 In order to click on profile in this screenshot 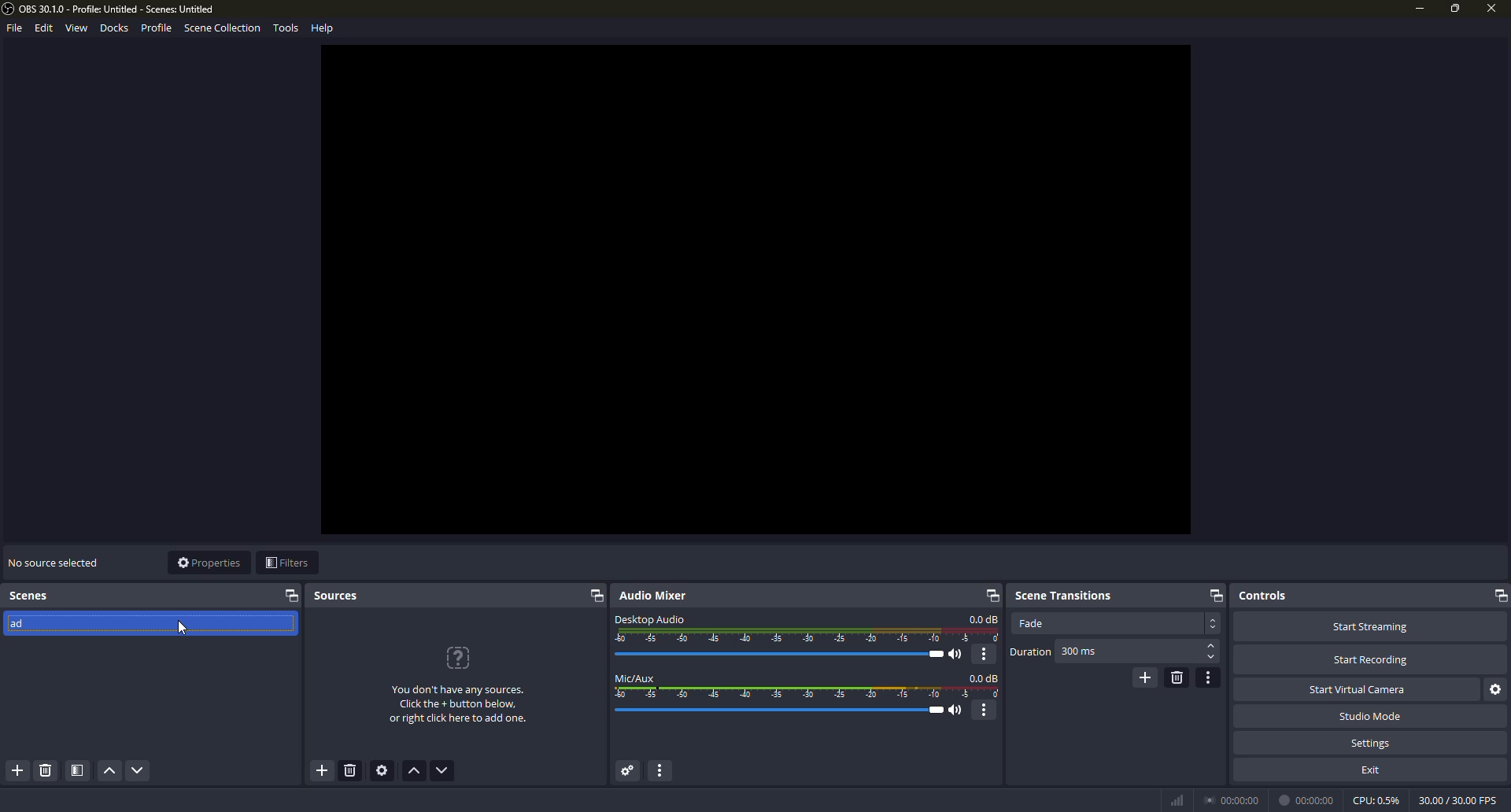, I will do `click(156, 28)`.